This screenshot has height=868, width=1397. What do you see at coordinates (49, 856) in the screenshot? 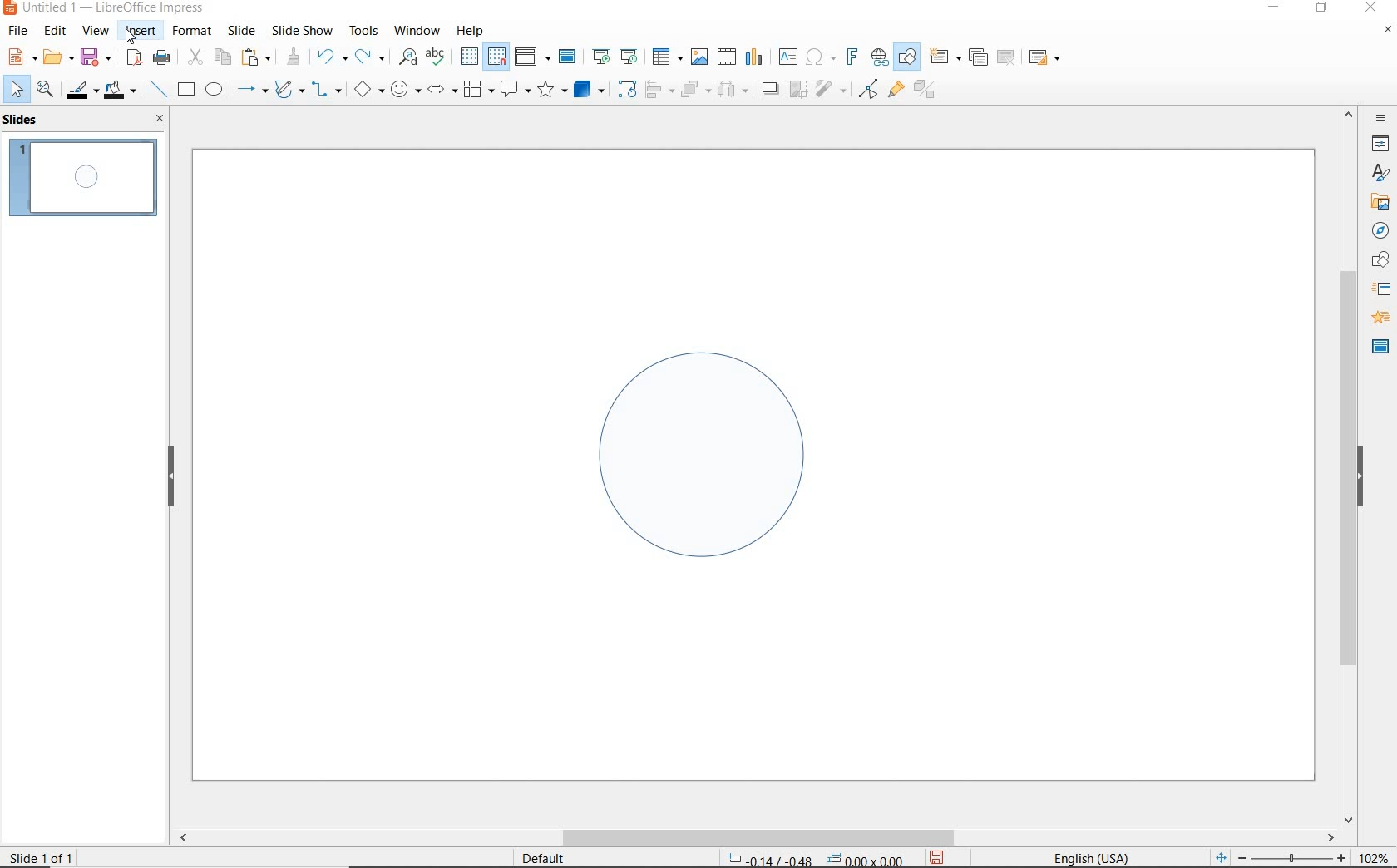
I see `slide 1 of 1` at bounding box center [49, 856].